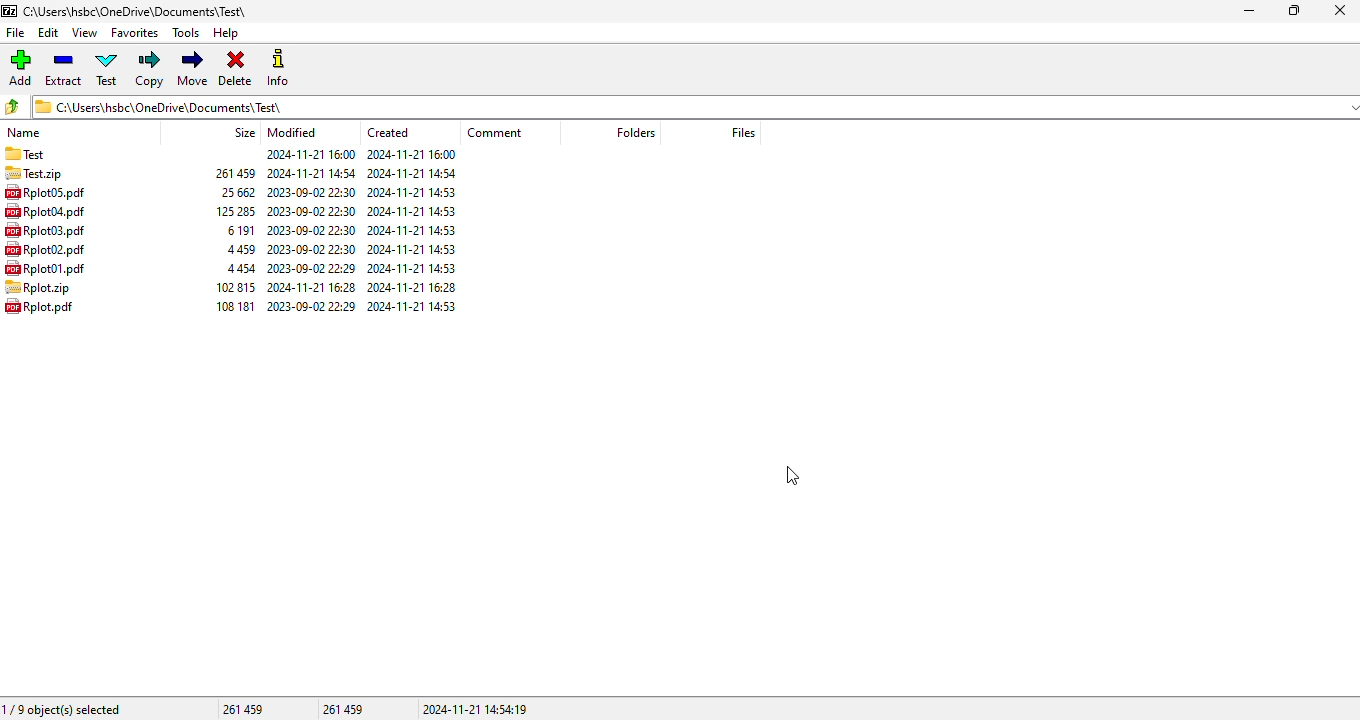 The image size is (1360, 720). What do you see at coordinates (413, 230) in the screenshot?
I see `created date & time` at bounding box center [413, 230].